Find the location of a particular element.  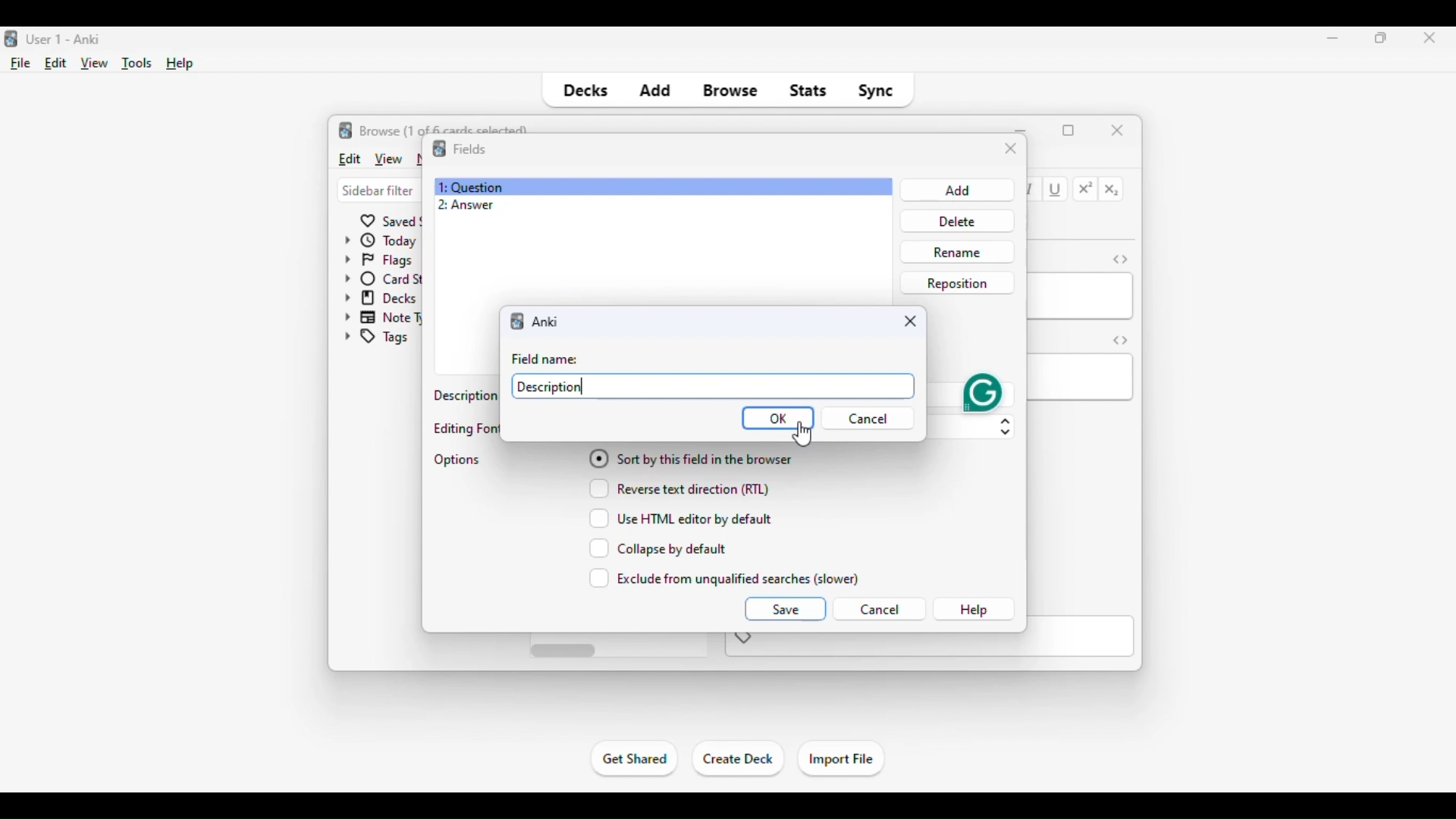

Description is located at coordinates (551, 386).